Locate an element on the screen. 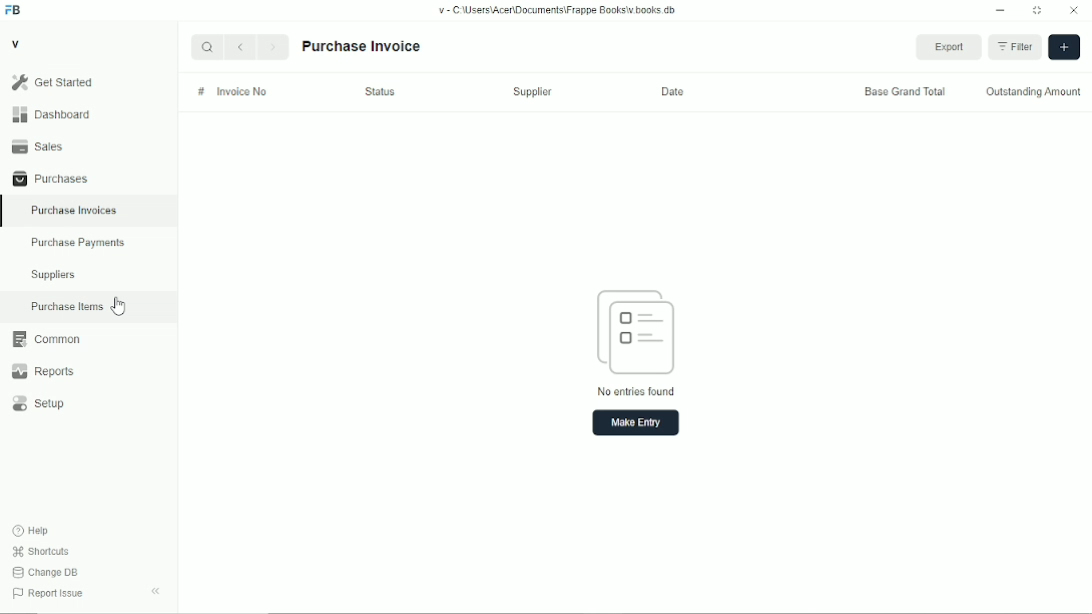 Image resolution: width=1092 pixels, height=614 pixels. v is located at coordinates (17, 43).